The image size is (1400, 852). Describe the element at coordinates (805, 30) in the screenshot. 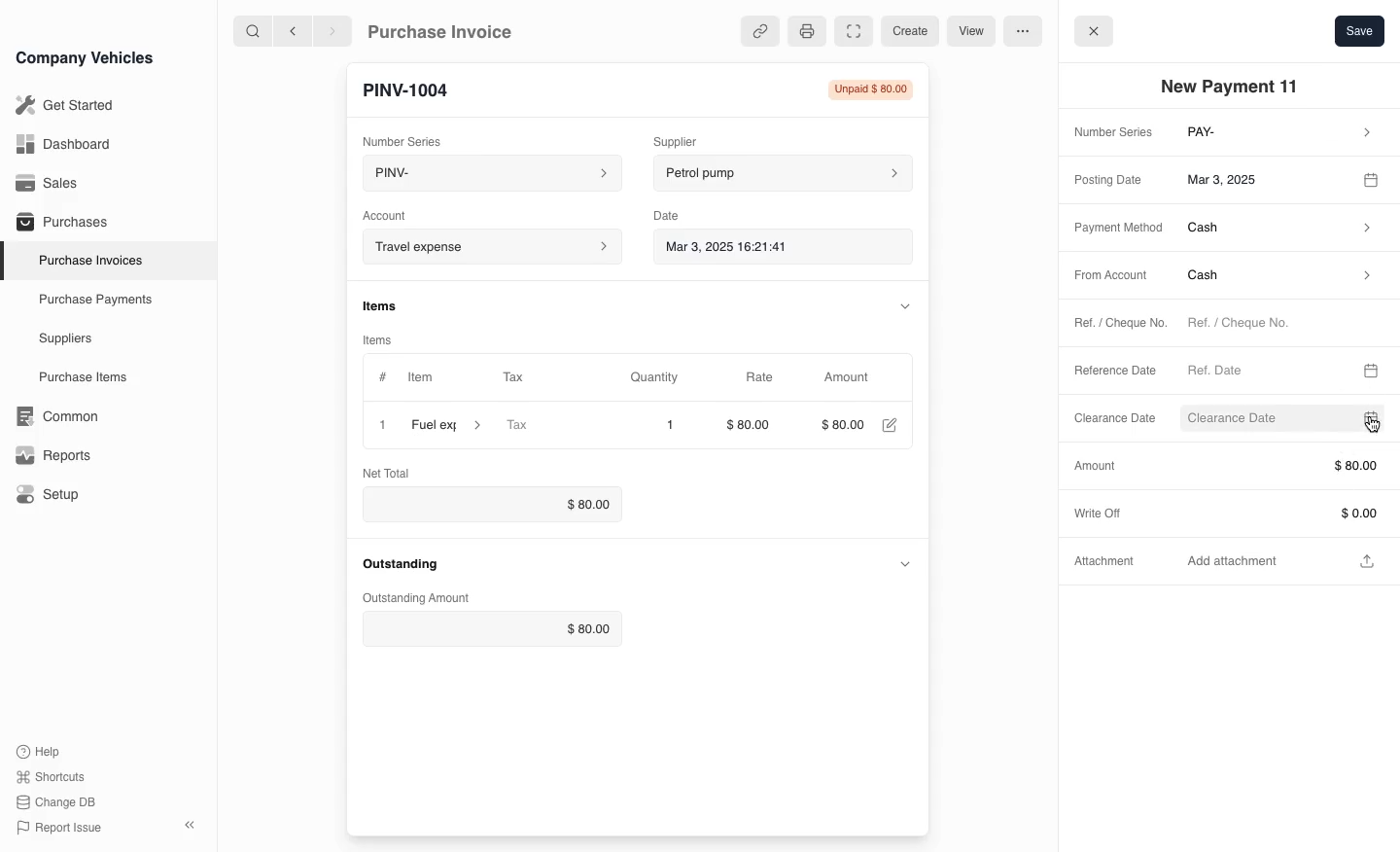

I see `print` at that location.